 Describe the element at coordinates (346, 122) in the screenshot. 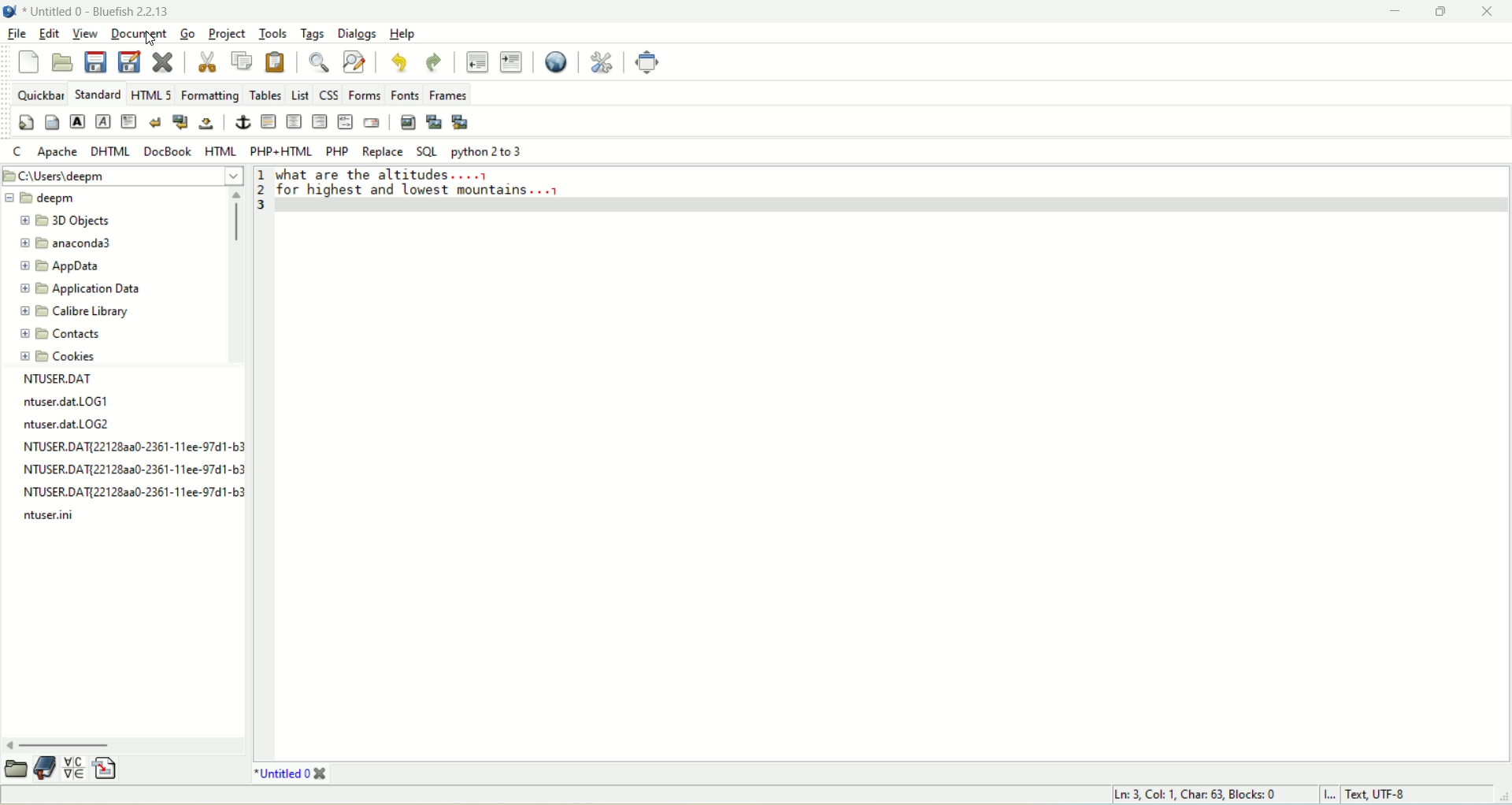

I see `HTML comment` at that location.